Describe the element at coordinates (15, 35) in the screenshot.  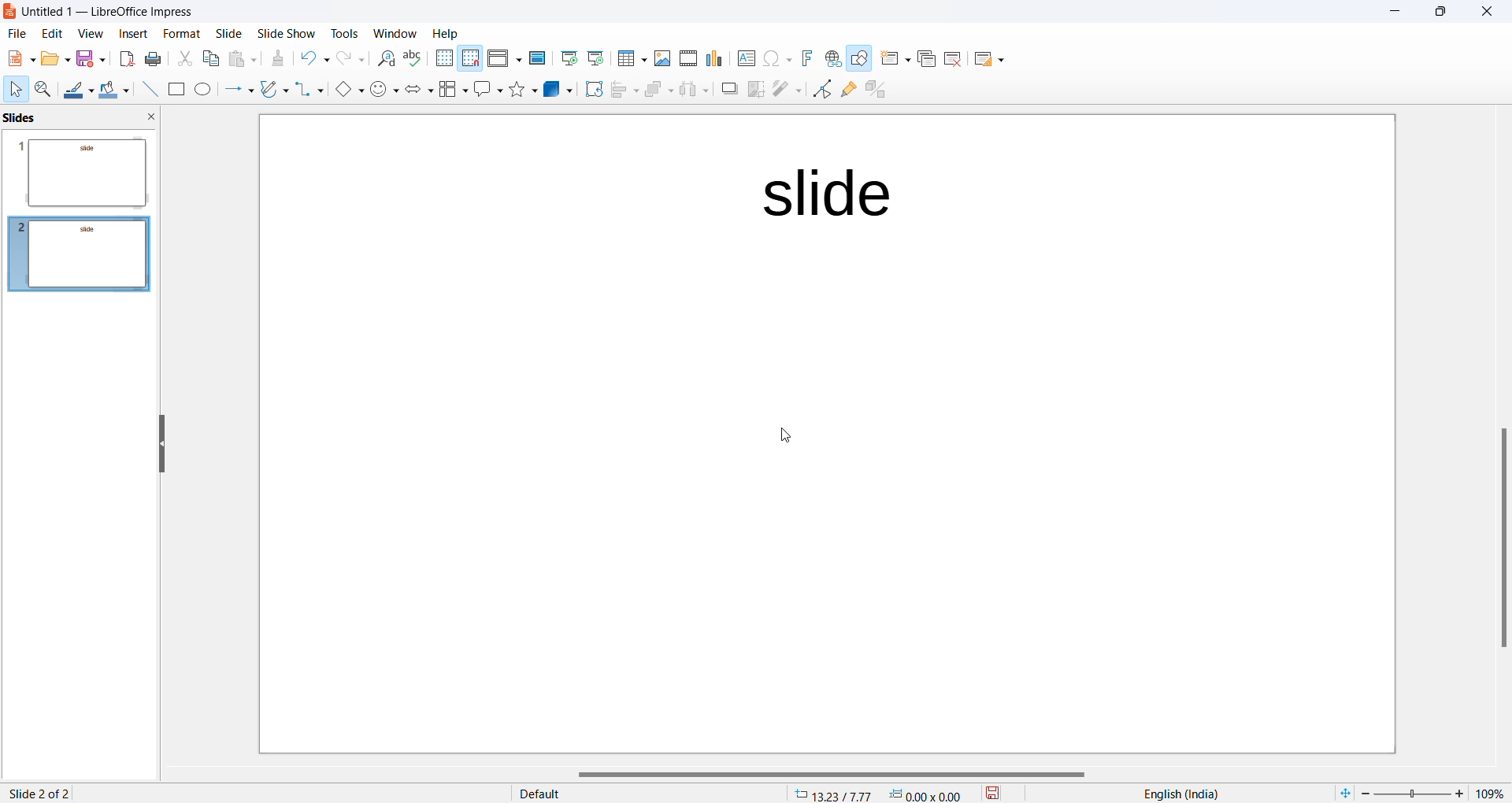
I see `file` at that location.